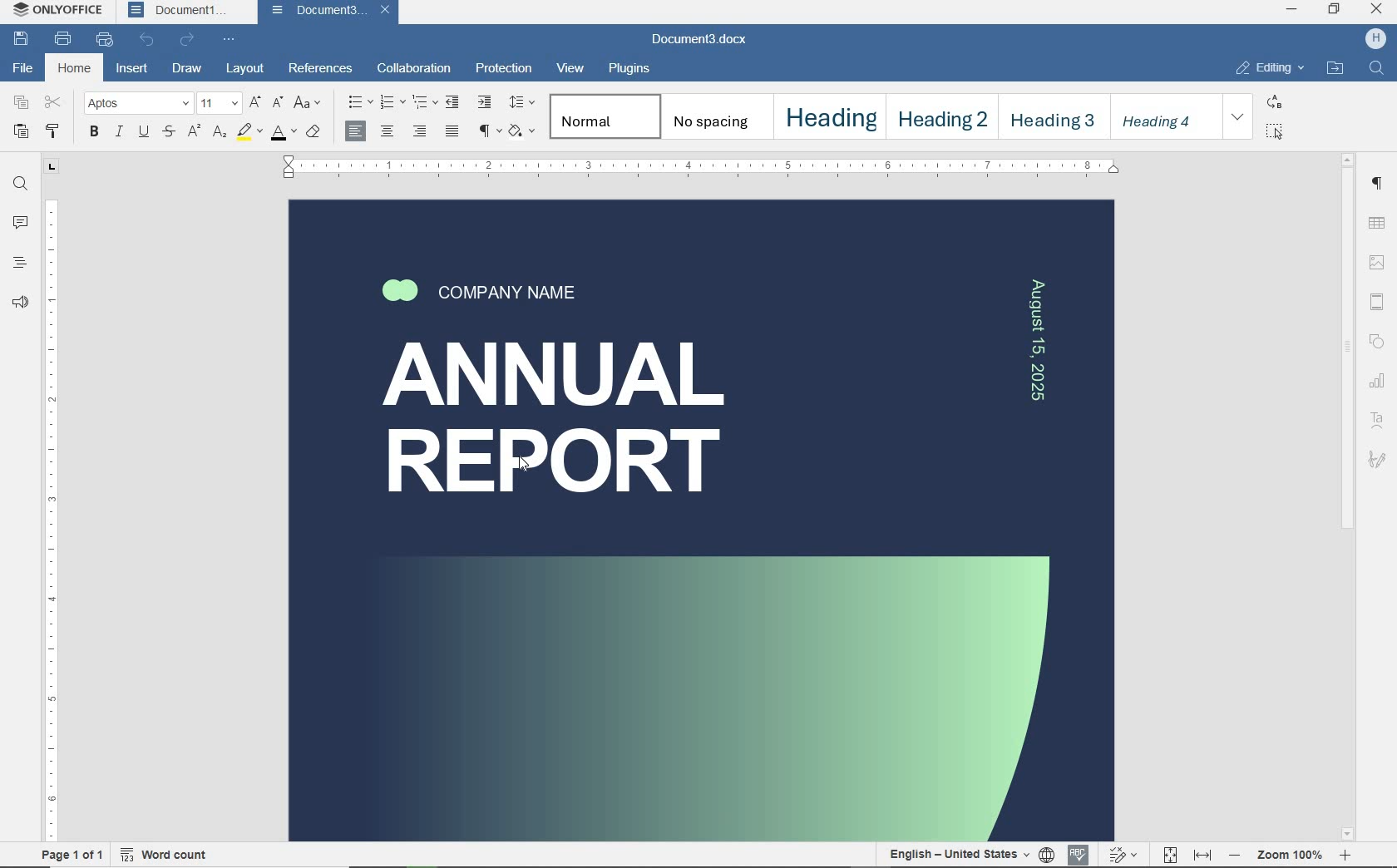 The height and width of the screenshot is (868, 1397). Describe the element at coordinates (702, 518) in the screenshot. I see `COVER PAGE` at that location.